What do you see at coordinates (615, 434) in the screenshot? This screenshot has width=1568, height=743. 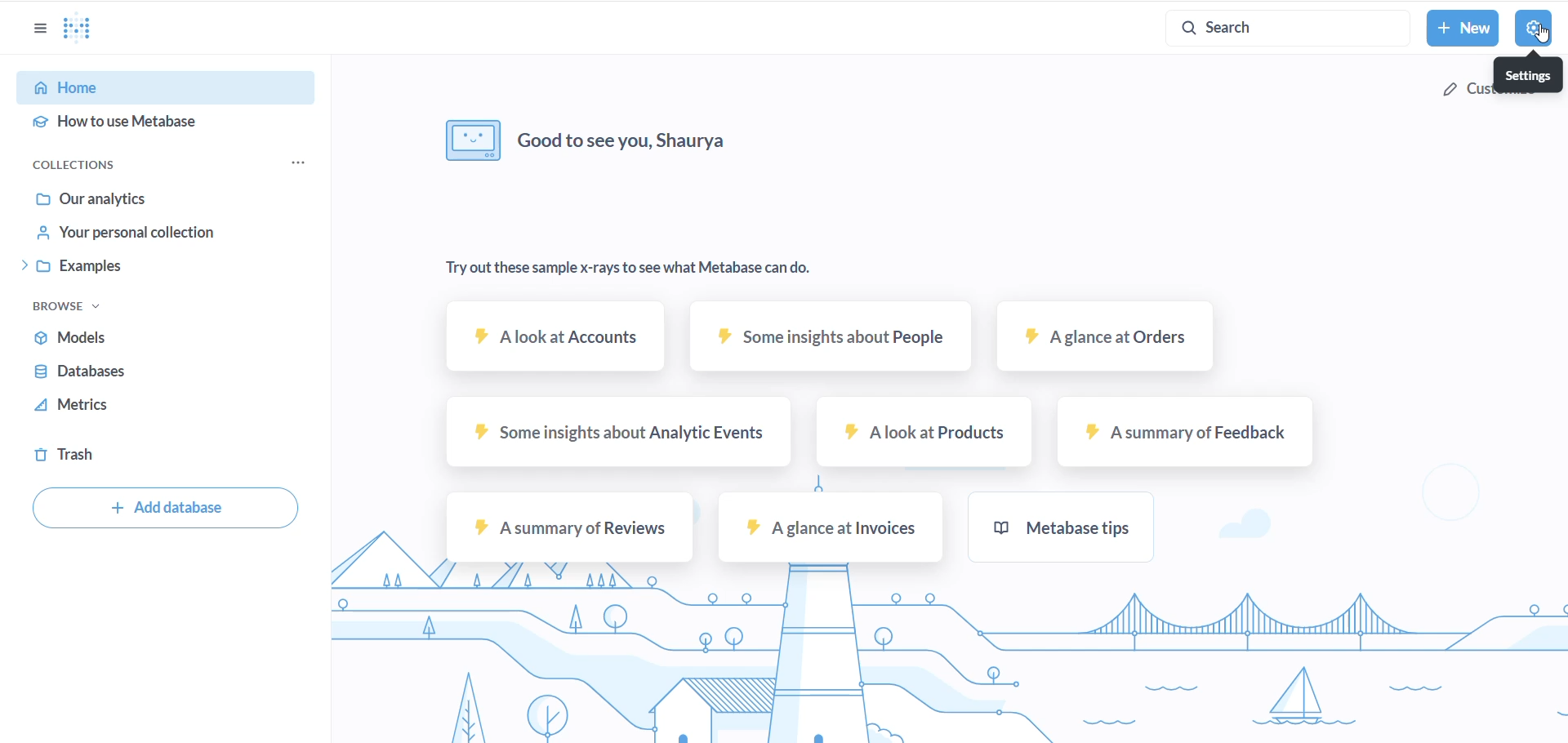 I see `some insights about analytic events ` at bounding box center [615, 434].